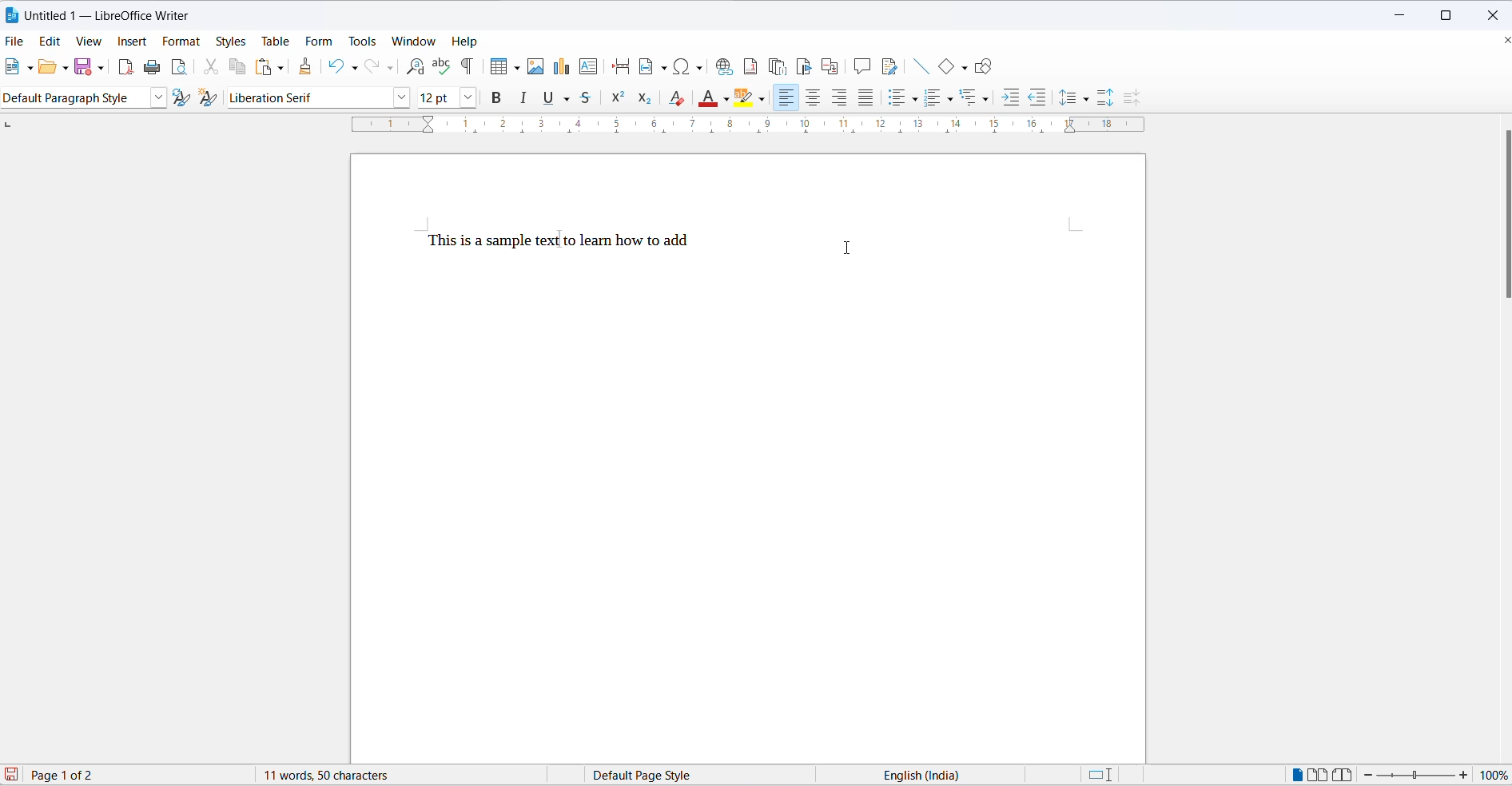 The image size is (1512, 786). Describe the element at coordinates (1449, 13) in the screenshot. I see `maximize` at that location.